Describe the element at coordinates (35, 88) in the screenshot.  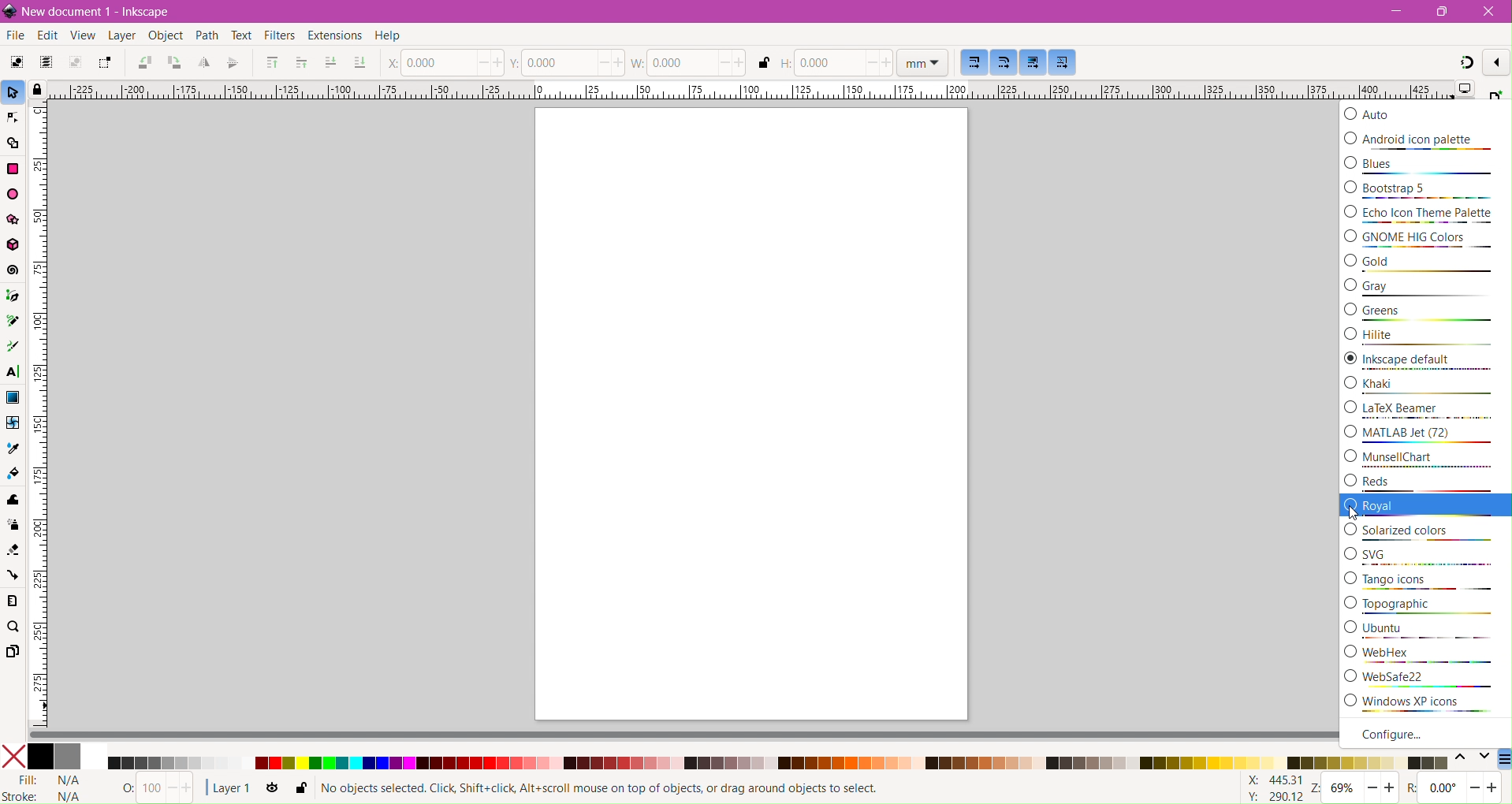
I see `Toggle lock of all guides in the document` at that location.